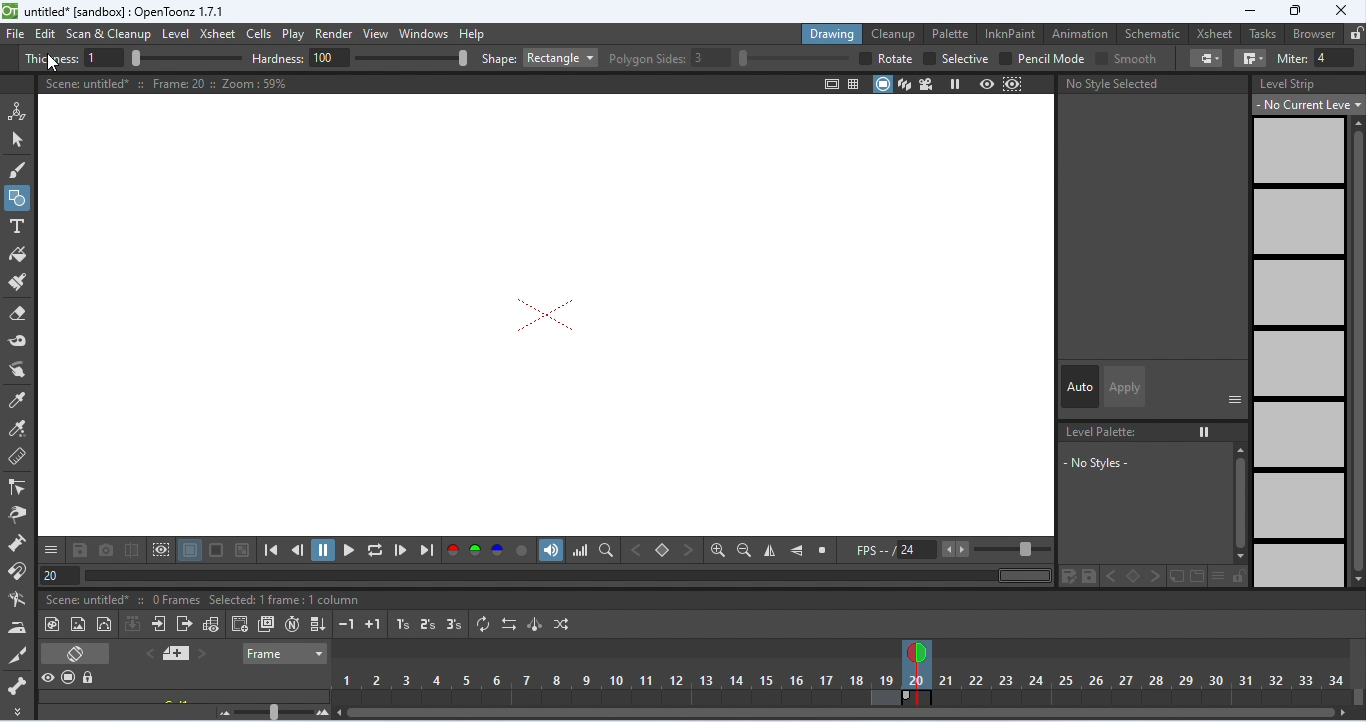 The width and height of the screenshot is (1366, 722). I want to click on toggle edit in place, so click(210, 623).